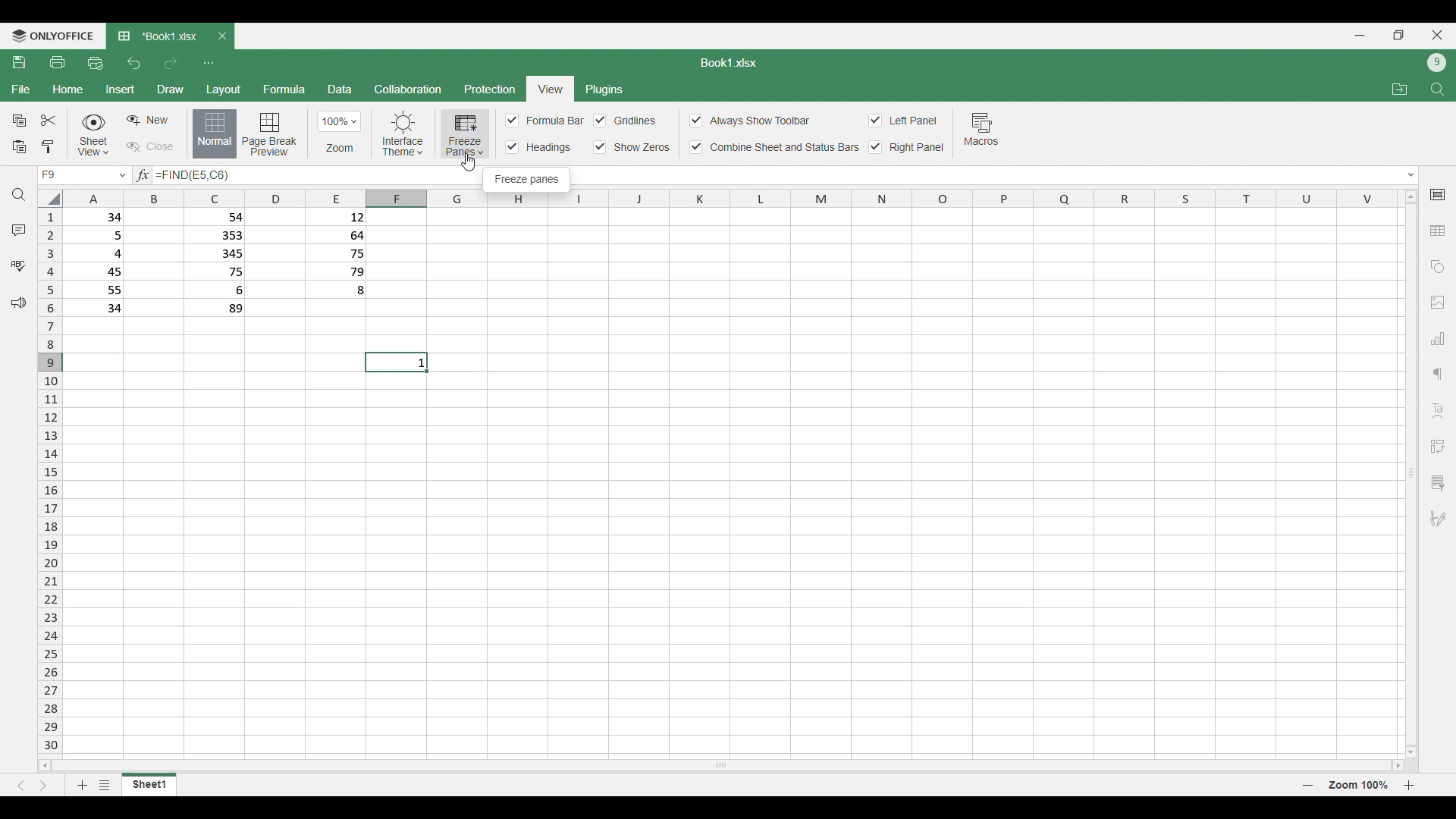 This screenshot has width=1456, height=819. What do you see at coordinates (1401, 89) in the screenshot?
I see `Open file location` at bounding box center [1401, 89].